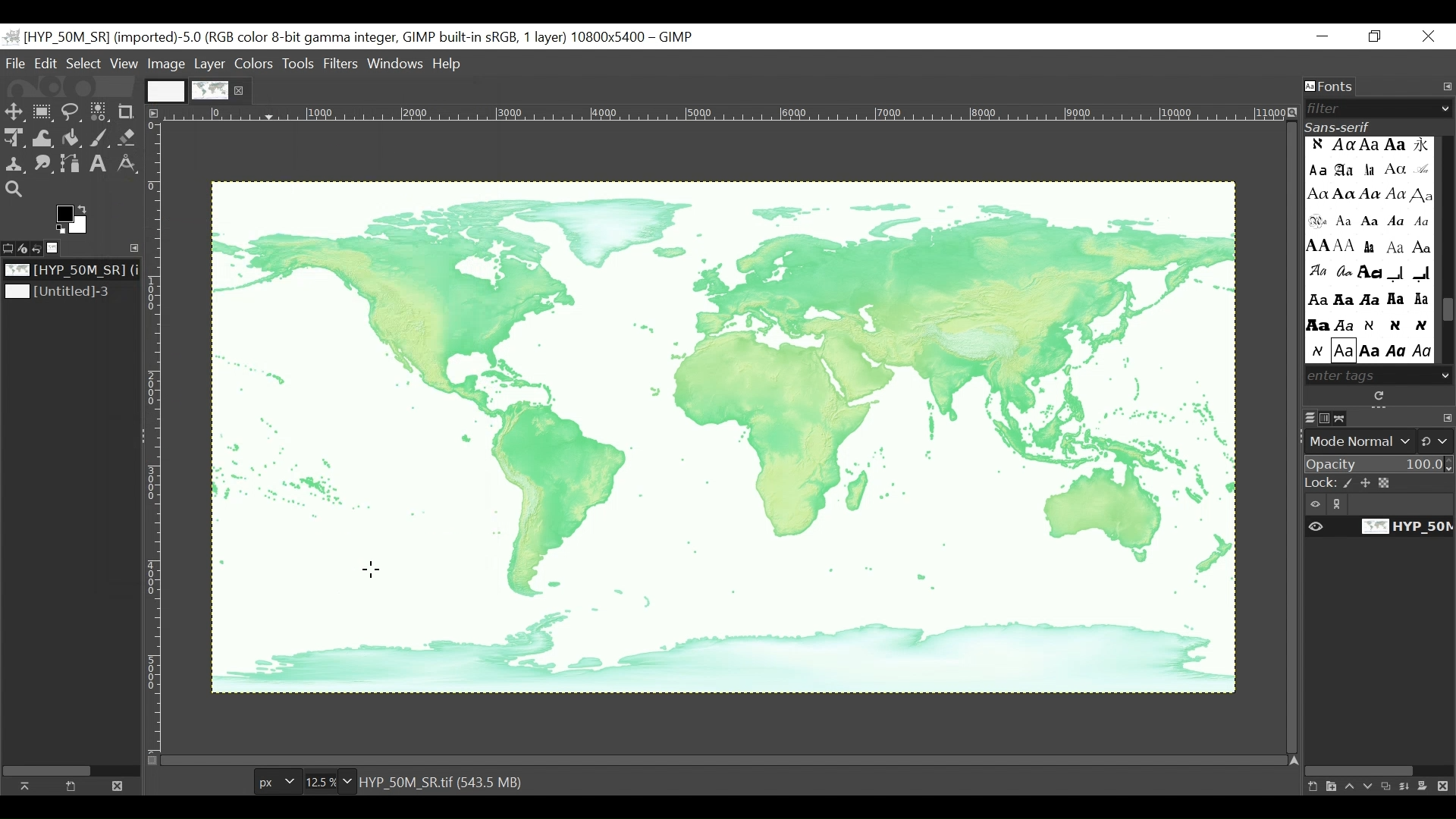 Image resolution: width=1456 pixels, height=819 pixels. What do you see at coordinates (44, 139) in the screenshot?
I see `Warp Transform` at bounding box center [44, 139].